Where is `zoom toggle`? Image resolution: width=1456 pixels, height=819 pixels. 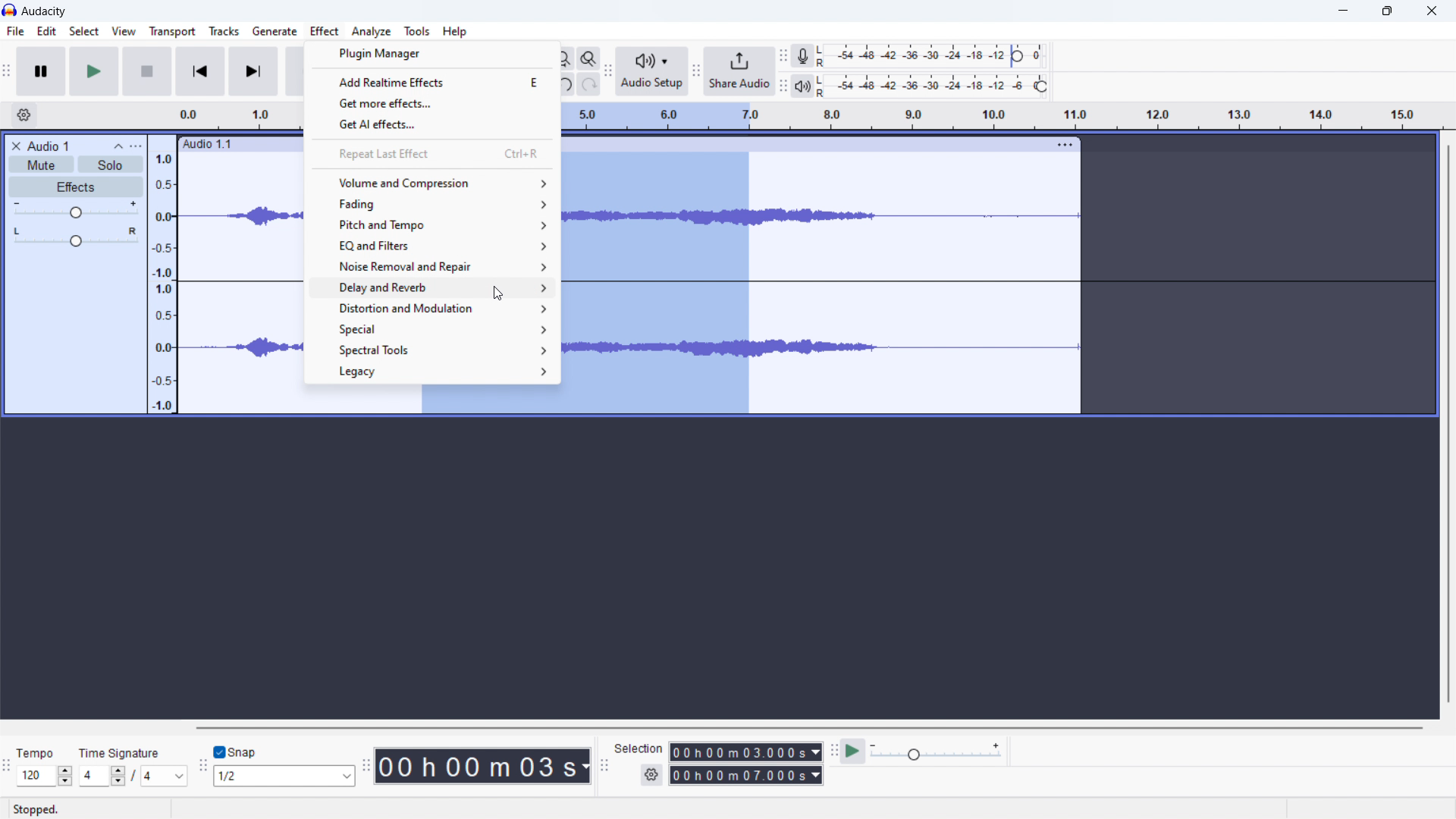 zoom toggle is located at coordinates (589, 58).